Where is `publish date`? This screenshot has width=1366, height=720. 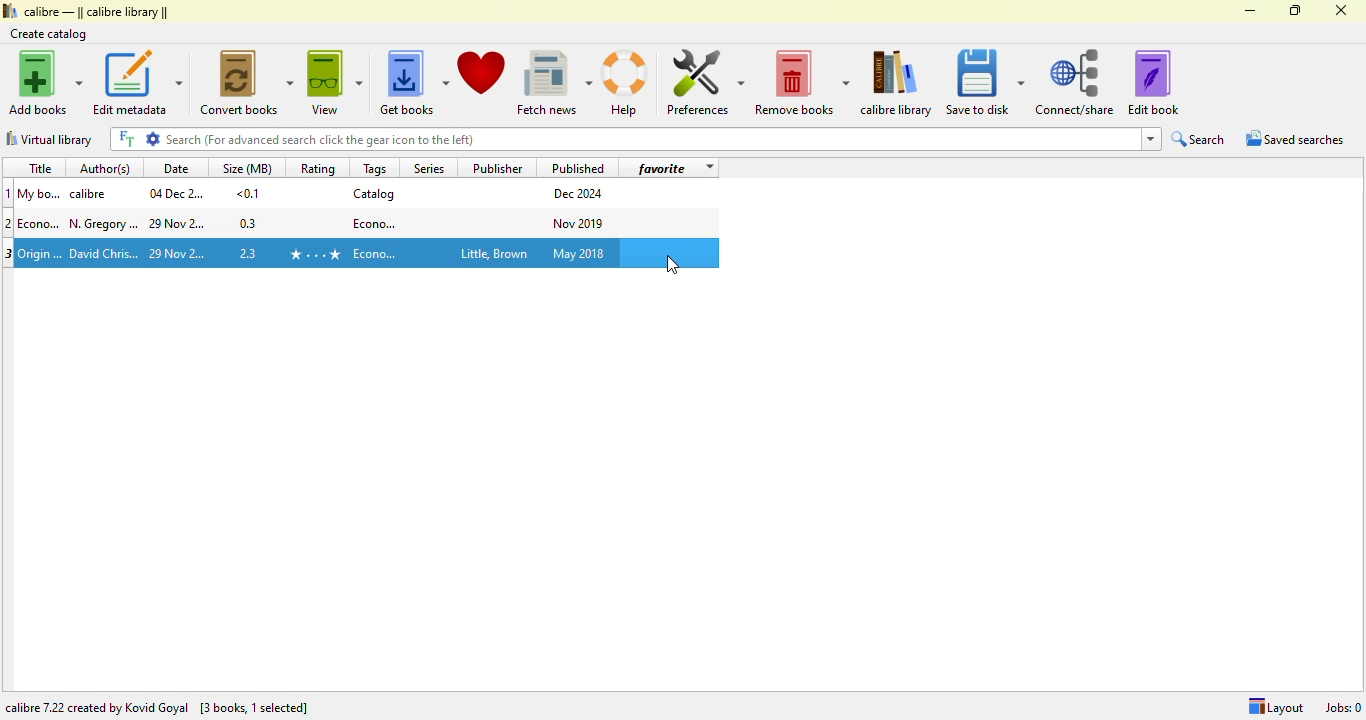 publish date is located at coordinates (580, 194).